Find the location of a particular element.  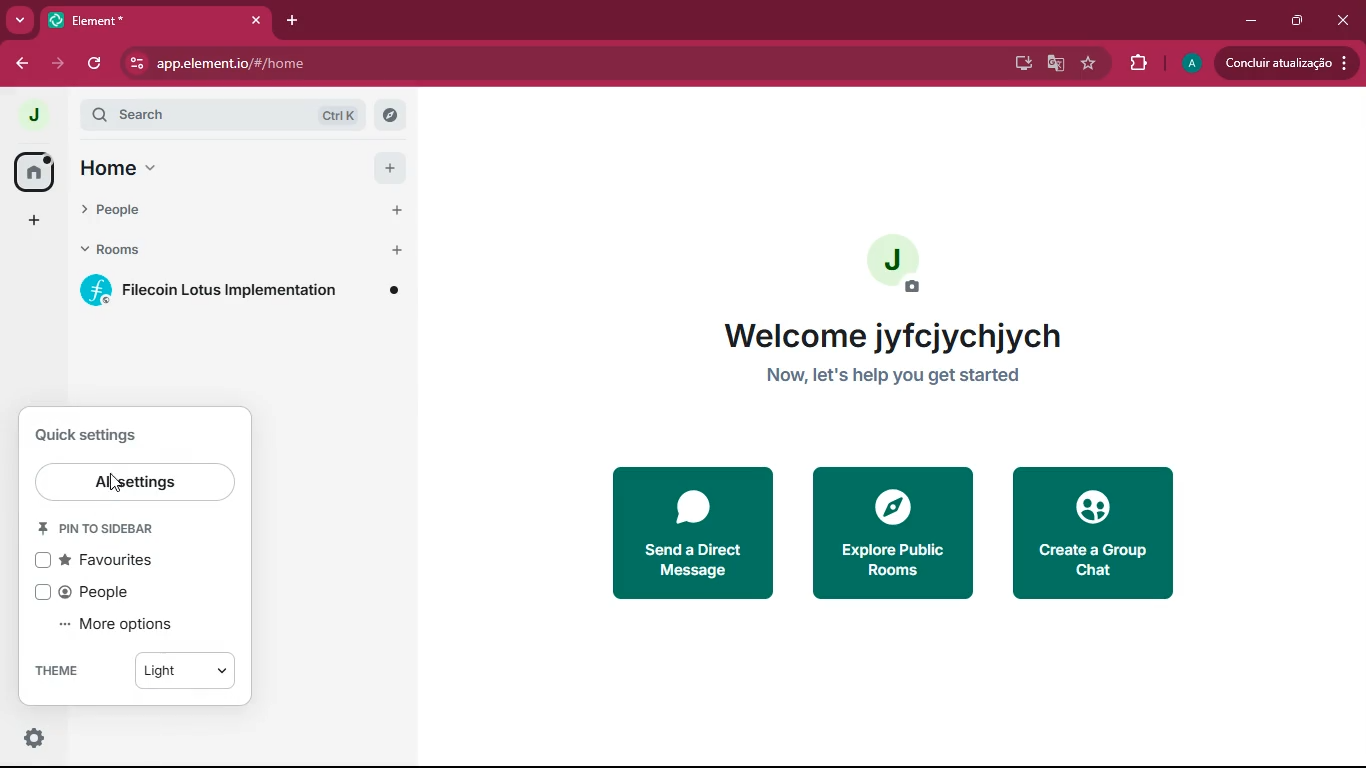

light is located at coordinates (196, 669).